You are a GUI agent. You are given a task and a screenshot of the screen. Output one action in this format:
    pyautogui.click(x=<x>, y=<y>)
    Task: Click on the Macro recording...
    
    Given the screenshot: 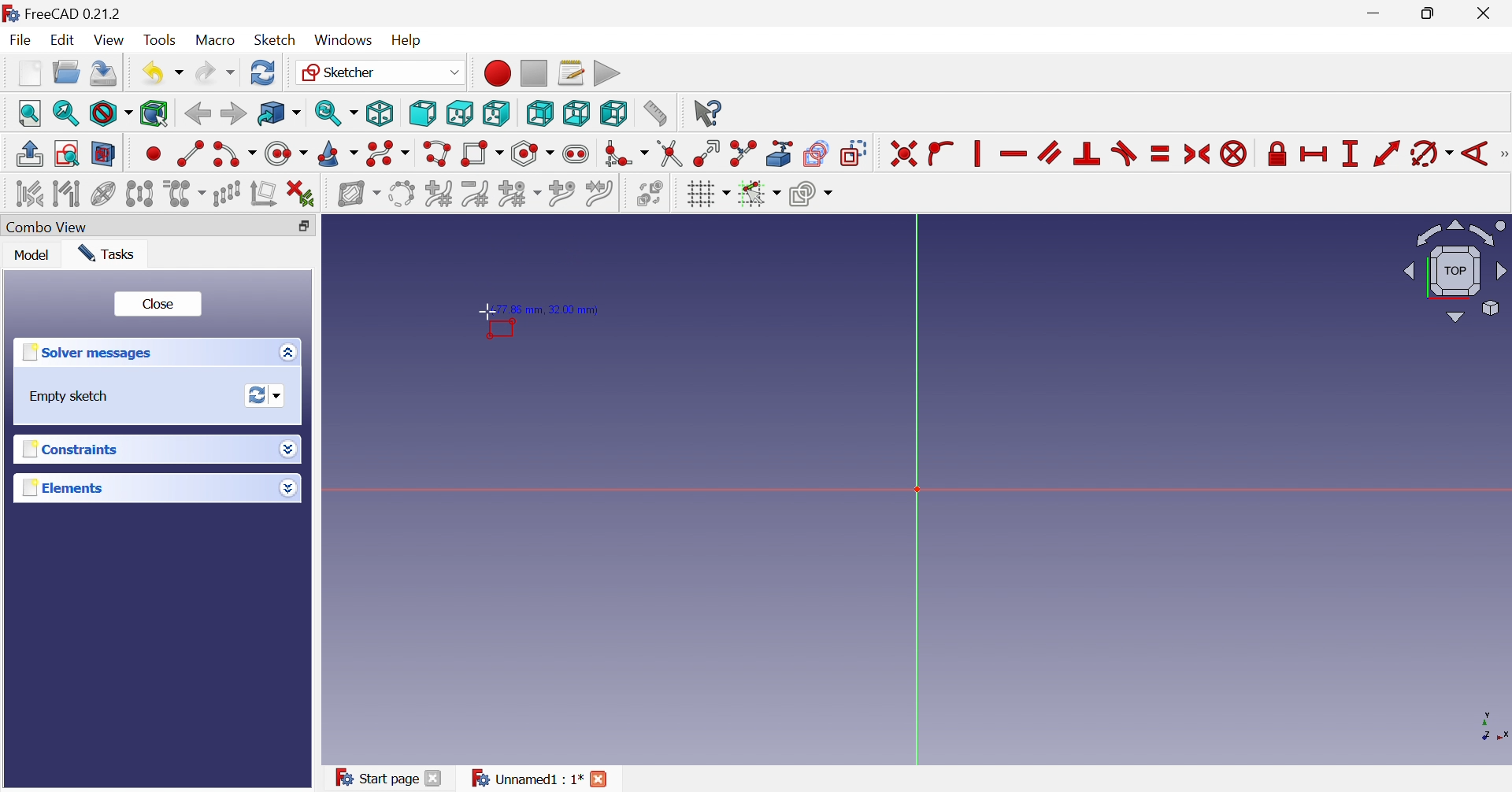 What is the action you would take?
    pyautogui.click(x=496, y=72)
    